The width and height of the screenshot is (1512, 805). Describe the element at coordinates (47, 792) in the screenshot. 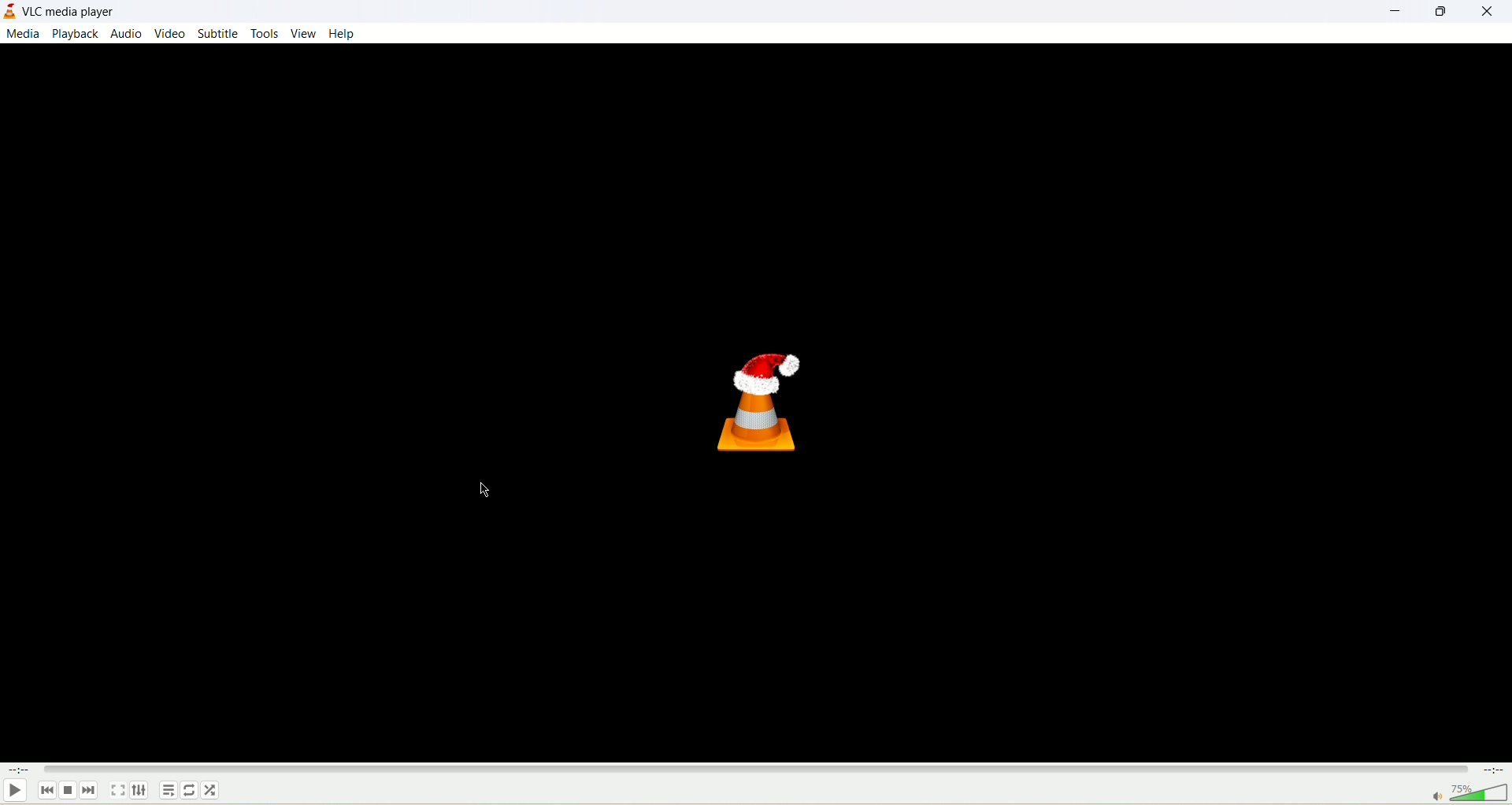

I see `previous` at that location.